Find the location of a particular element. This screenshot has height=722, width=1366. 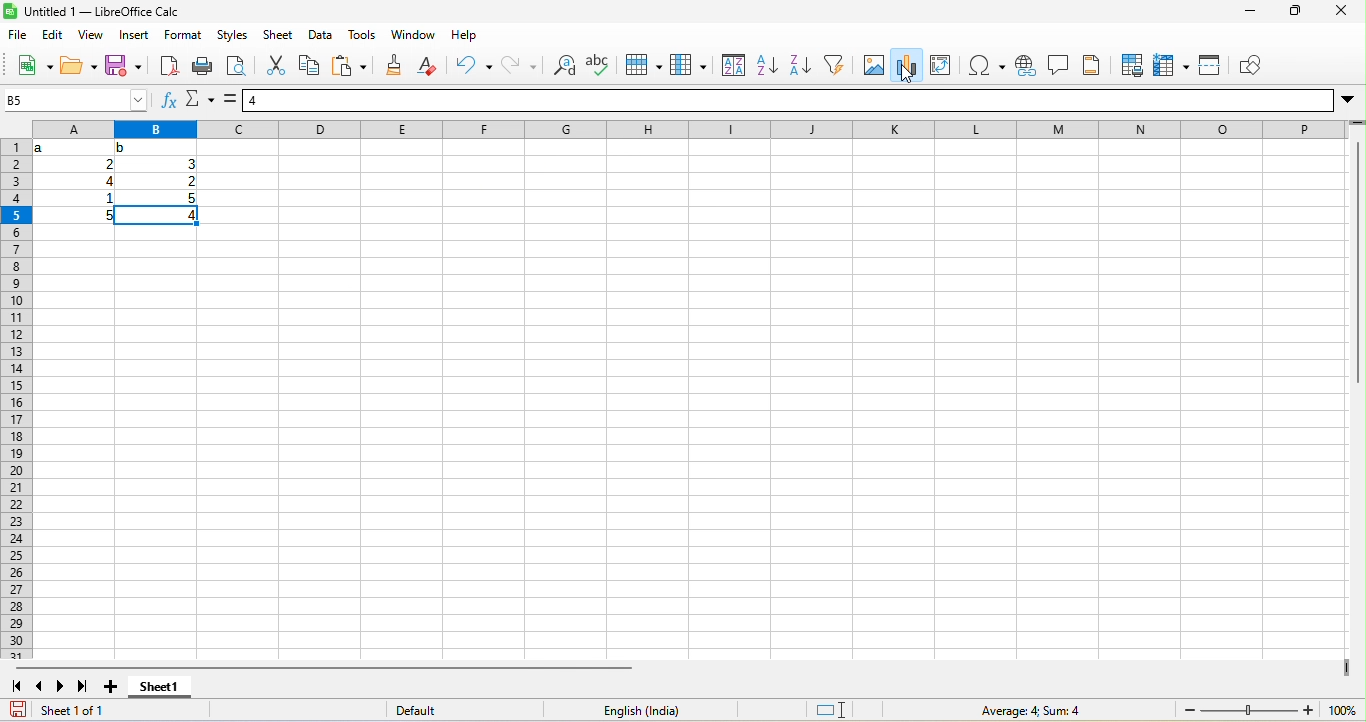

help is located at coordinates (464, 35).